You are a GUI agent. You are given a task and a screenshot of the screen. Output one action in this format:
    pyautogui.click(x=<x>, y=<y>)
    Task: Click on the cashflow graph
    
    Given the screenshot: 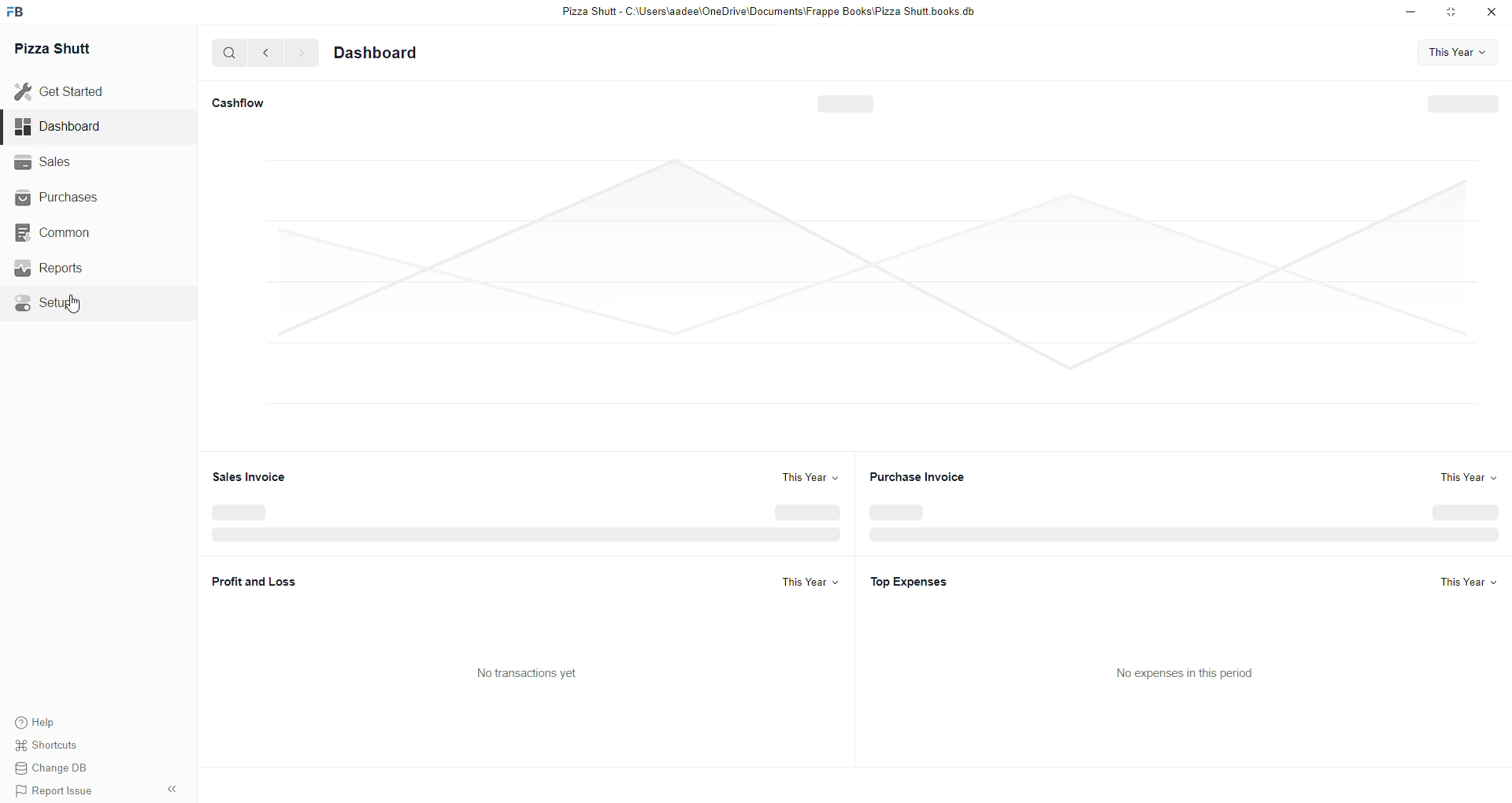 What is the action you would take?
    pyautogui.click(x=855, y=304)
    